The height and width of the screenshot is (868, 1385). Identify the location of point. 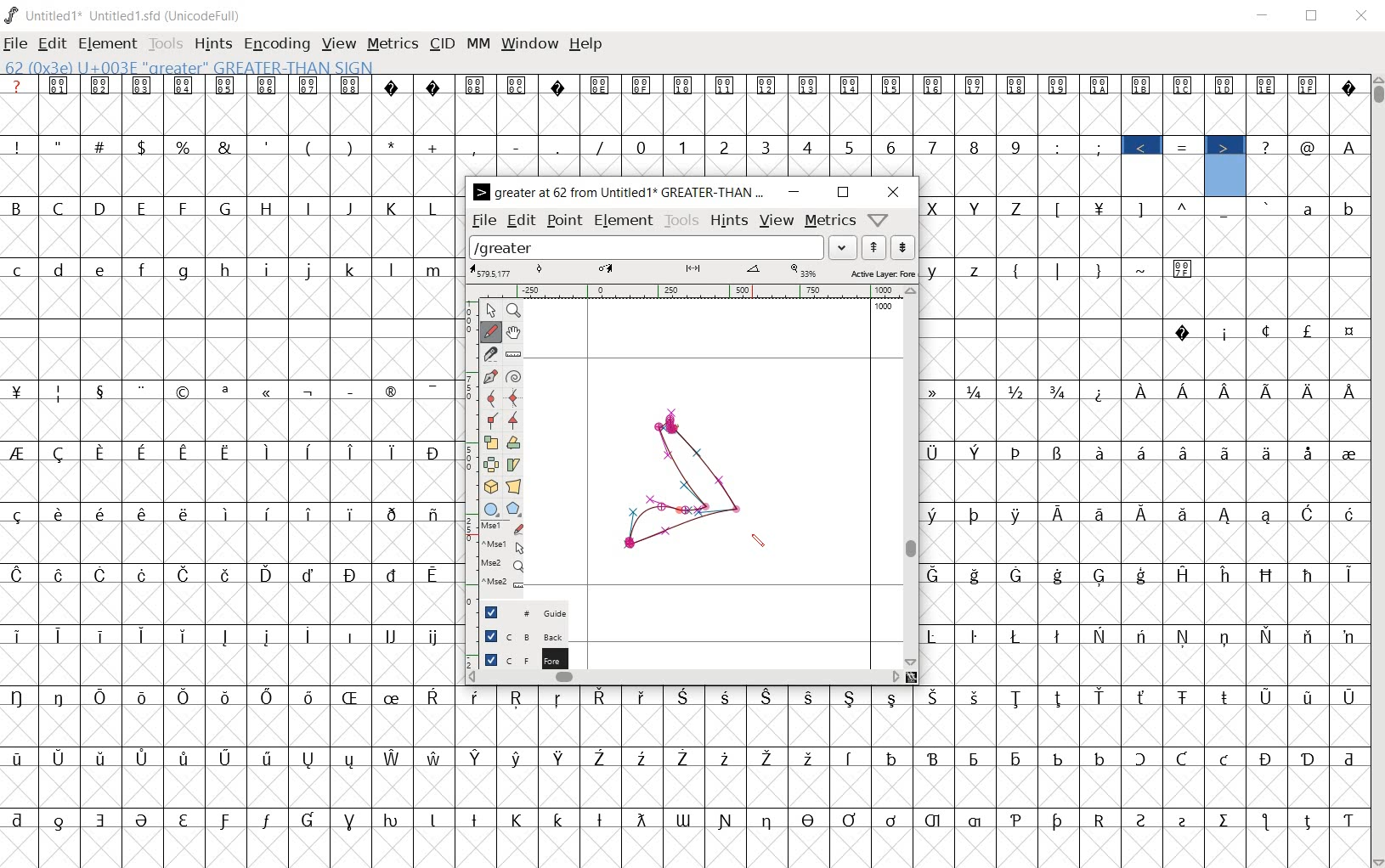
(565, 221).